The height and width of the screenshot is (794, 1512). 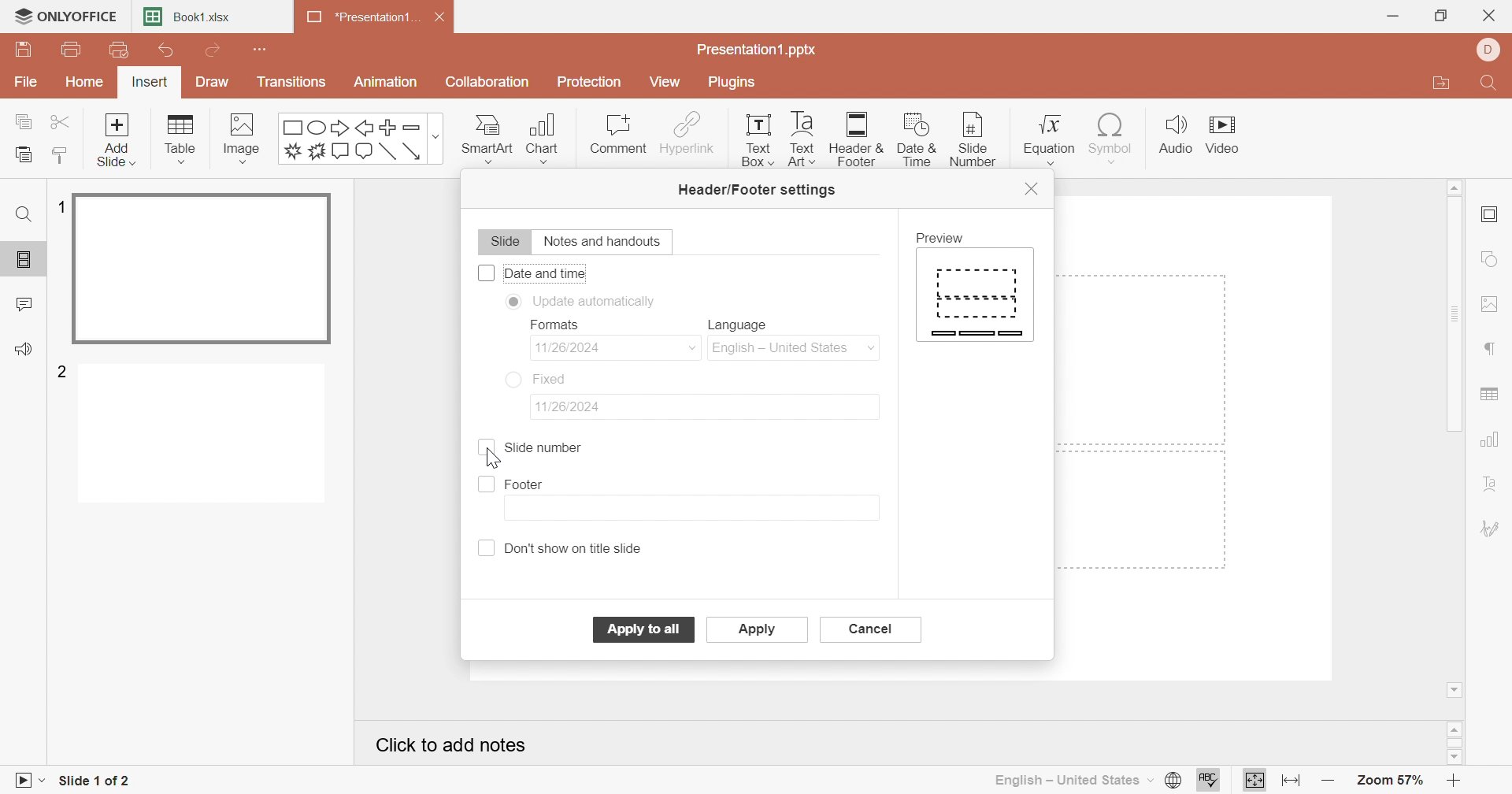 What do you see at coordinates (1032, 187) in the screenshot?
I see `Close` at bounding box center [1032, 187].